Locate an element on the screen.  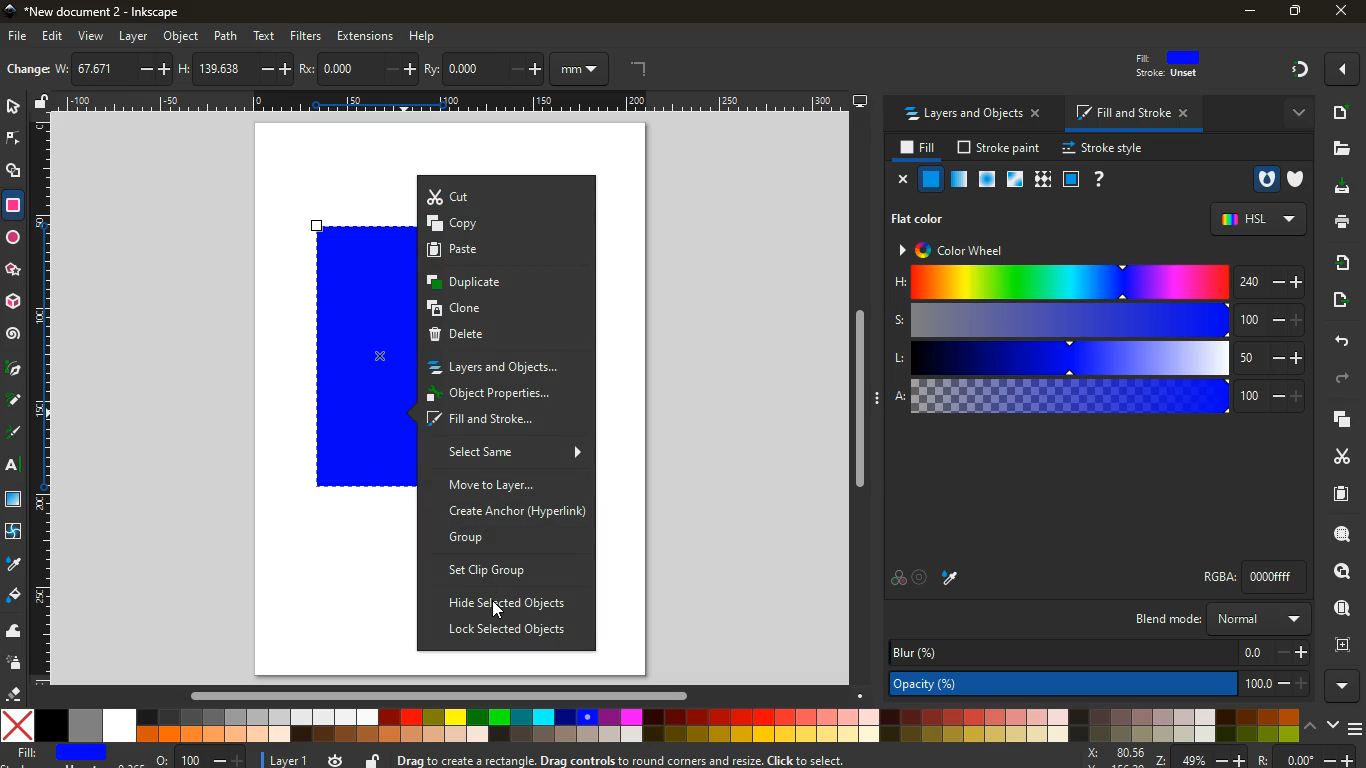
hsl is located at coordinates (1261, 220).